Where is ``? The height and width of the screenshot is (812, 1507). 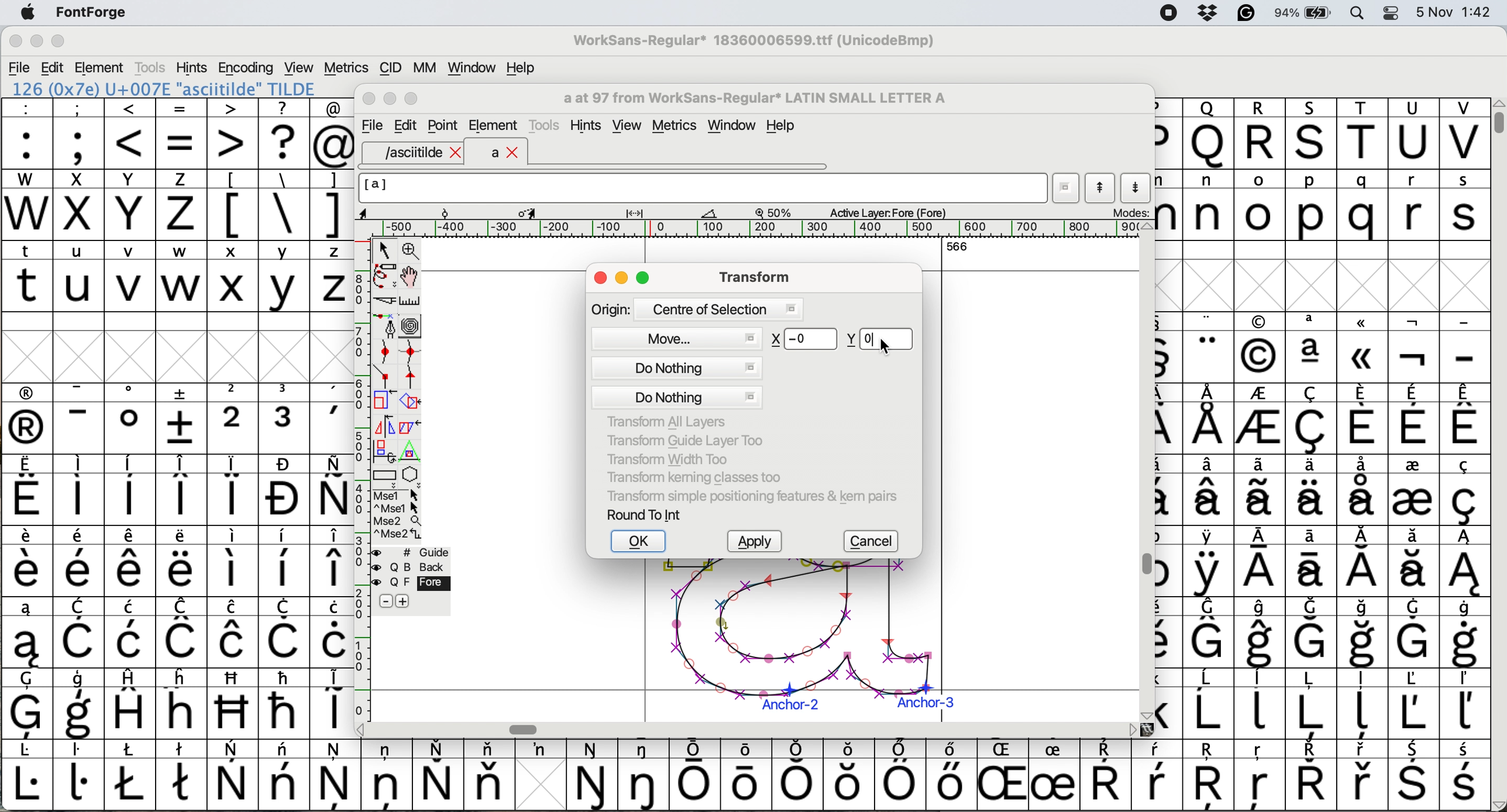  is located at coordinates (1364, 347).